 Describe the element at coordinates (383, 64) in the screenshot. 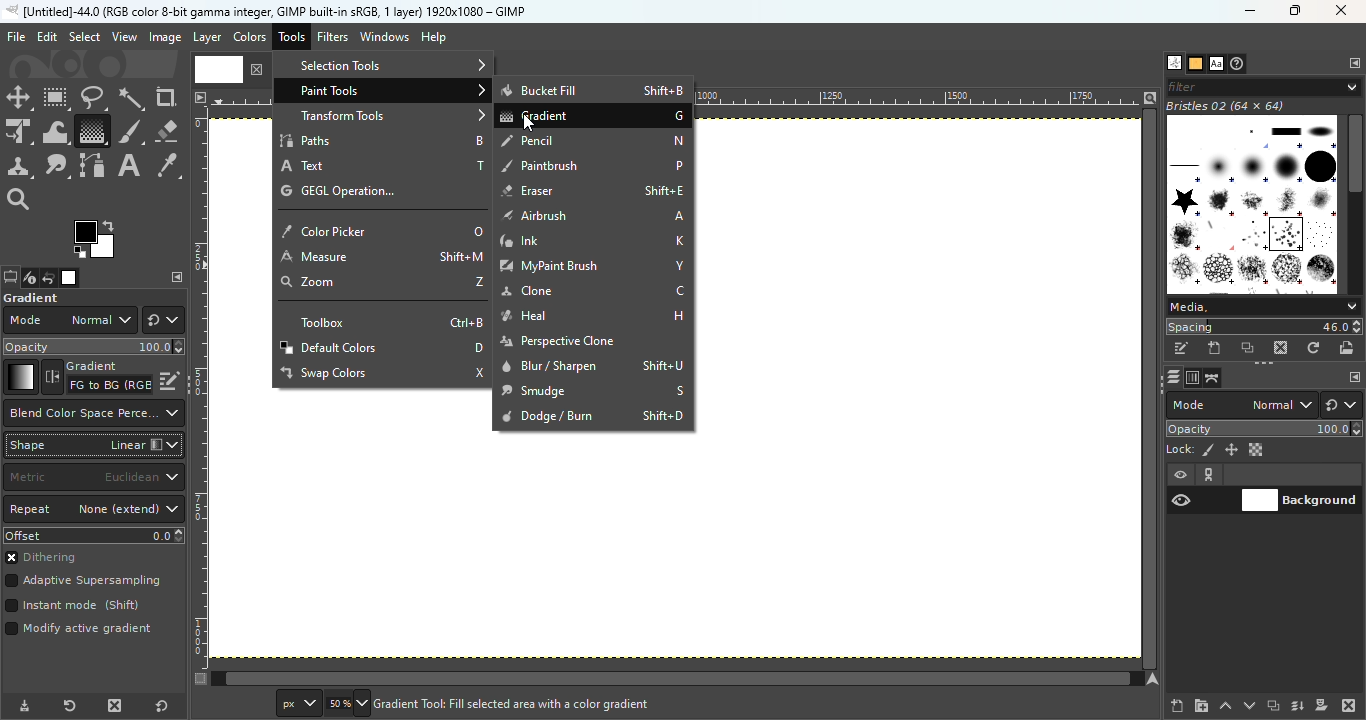

I see `Selection tools` at that location.